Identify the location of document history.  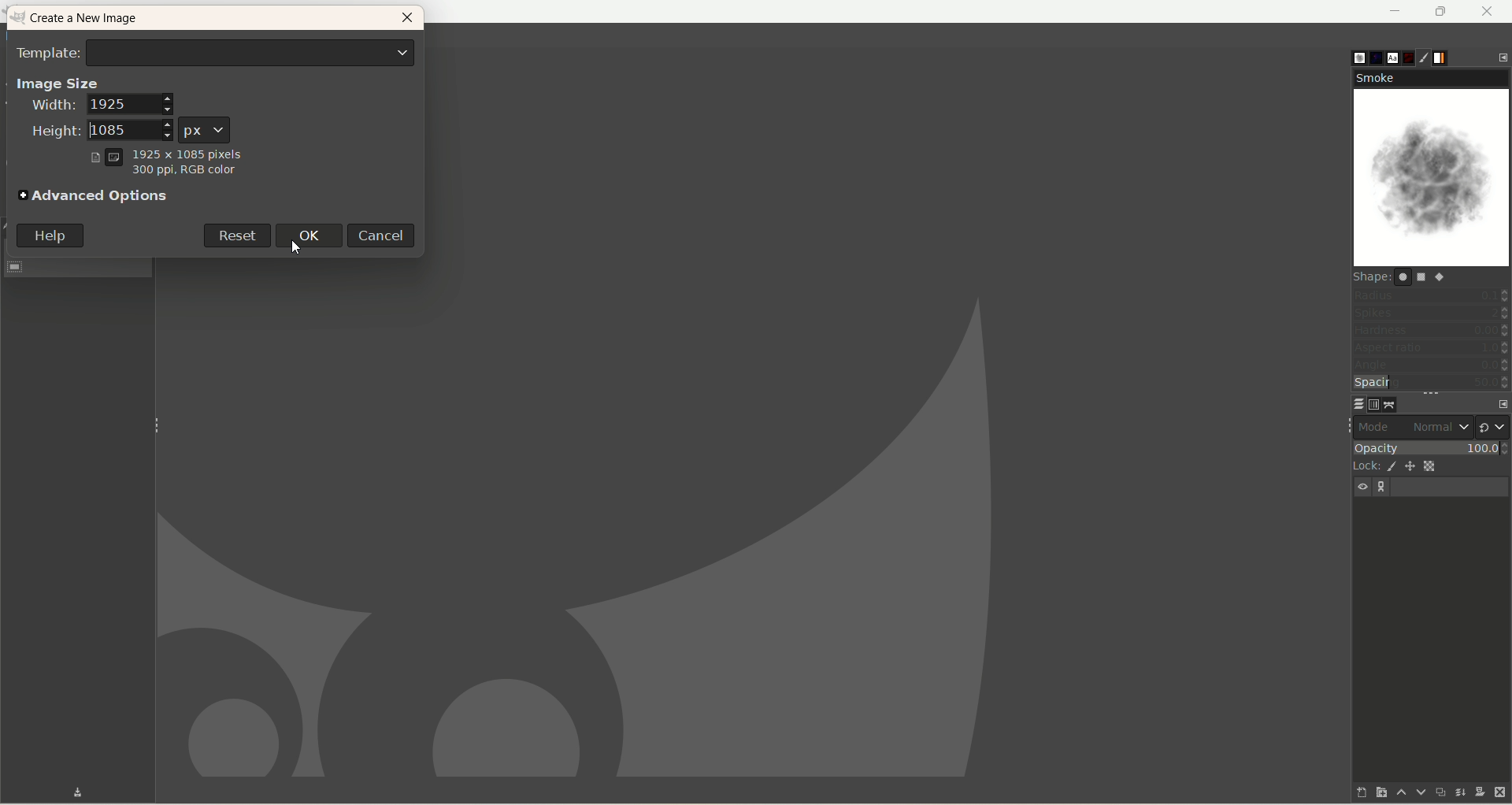
(1410, 54).